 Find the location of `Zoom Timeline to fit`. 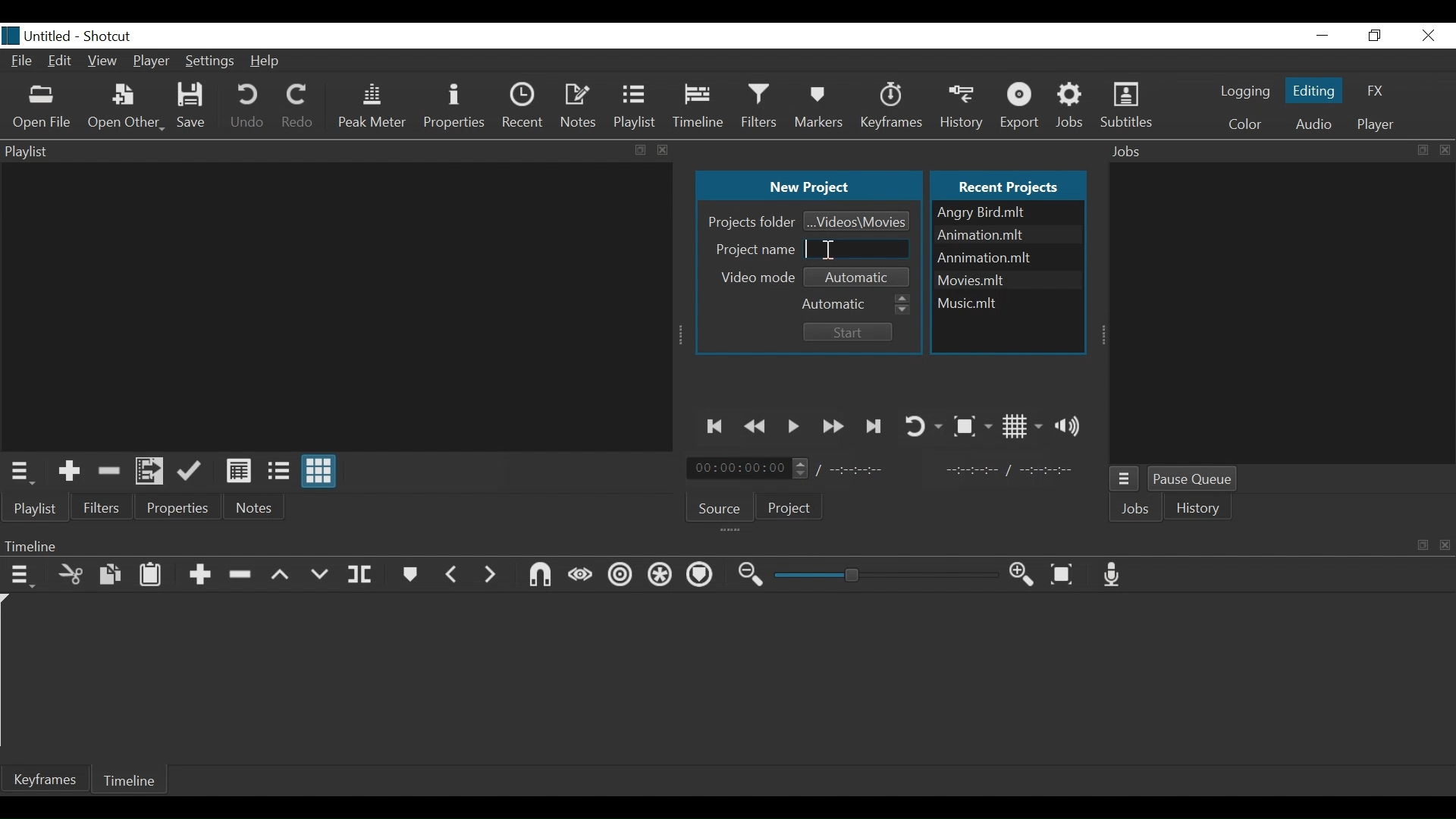

Zoom Timeline to fit is located at coordinates (1065, 575).